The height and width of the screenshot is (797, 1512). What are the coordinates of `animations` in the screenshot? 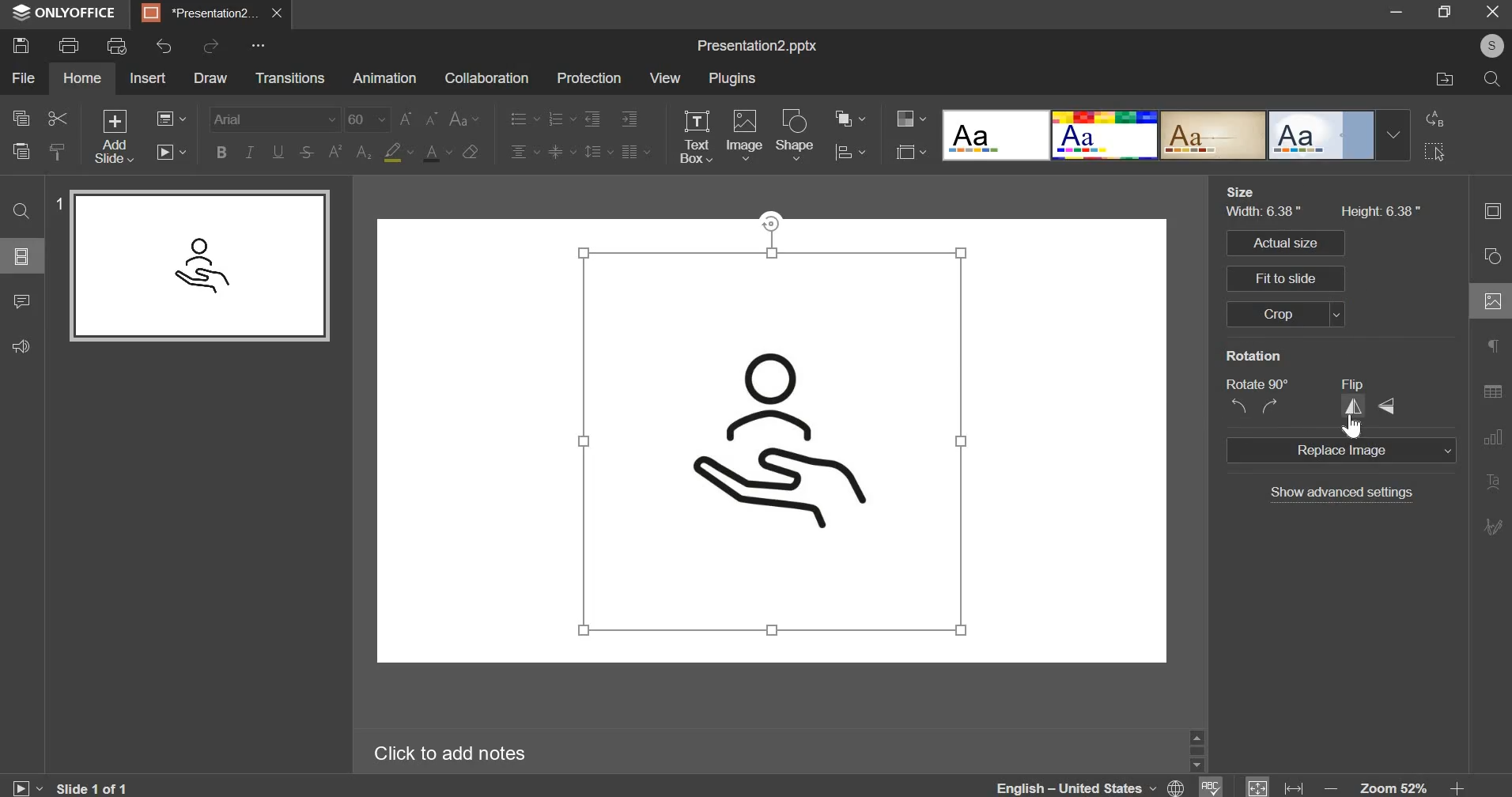 It's located at (383, 78).